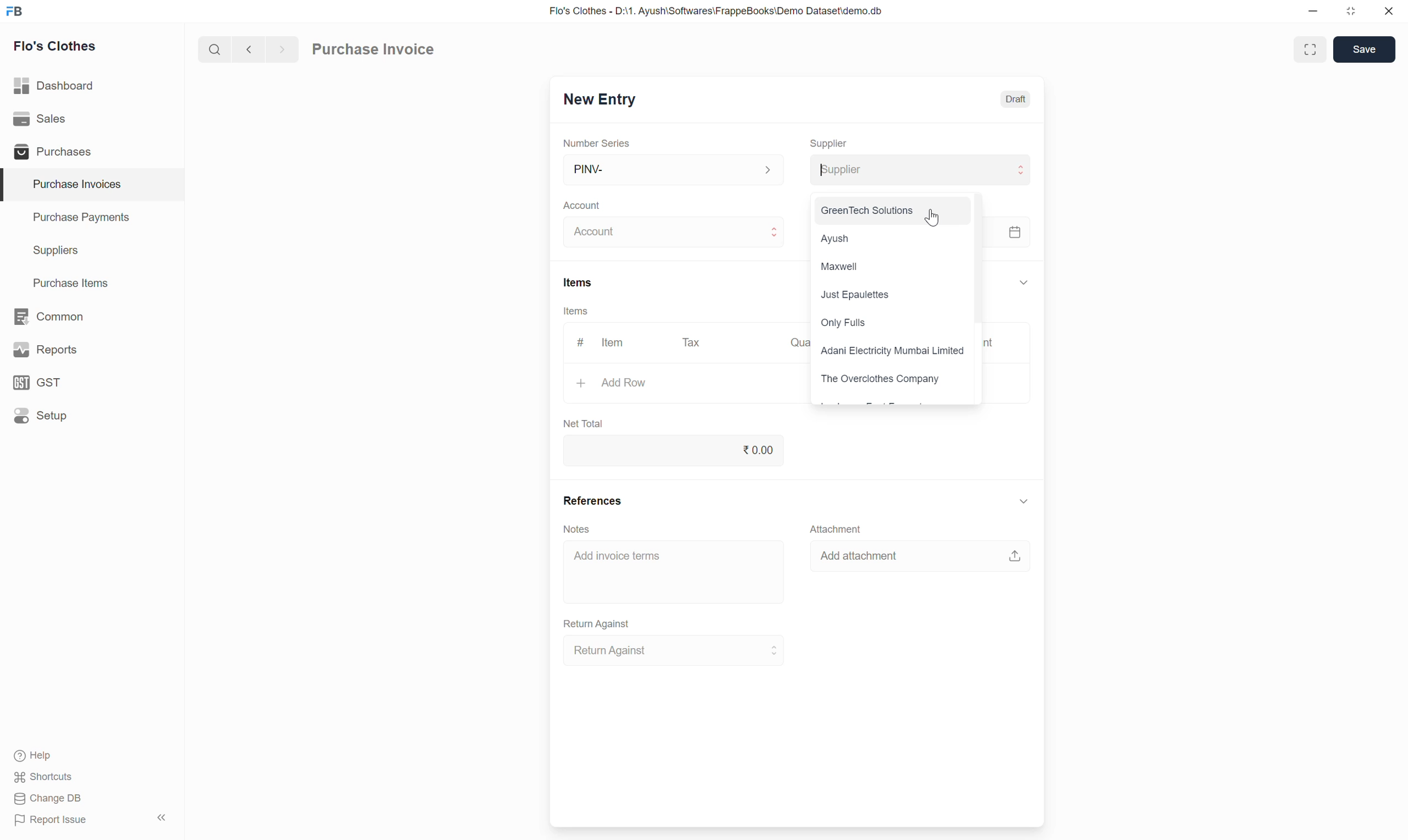 Image resolution: width=1408 pixels, height=840 pixels. What do you see at coordinates (932, 217) in the screenshot?
I see `Cursor` at bounding box center [932, 217].